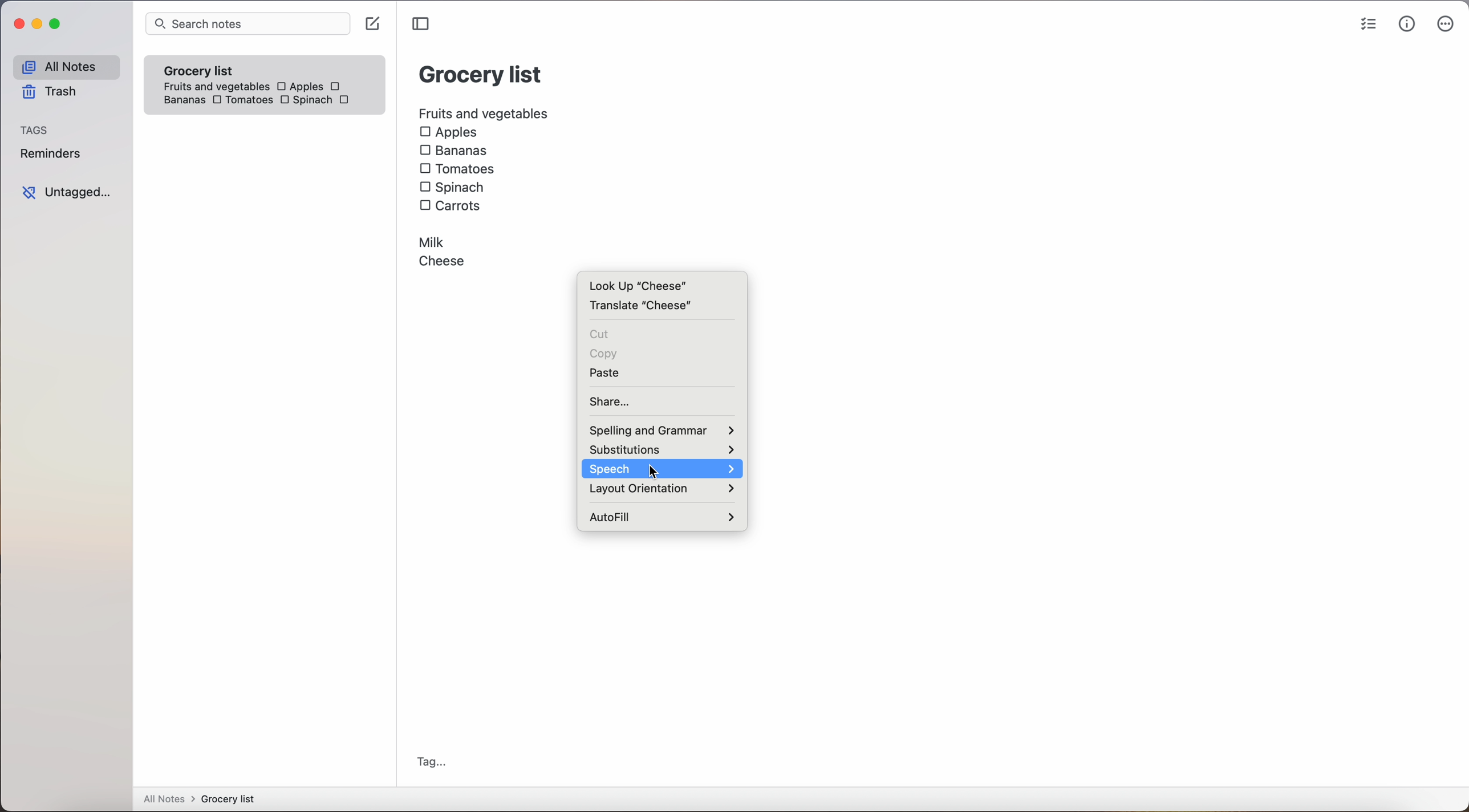 This screenshot has height=812, width=1469. Describe the element at coordinates (39, 23) in the screenshot. I see `minimize` at that location.